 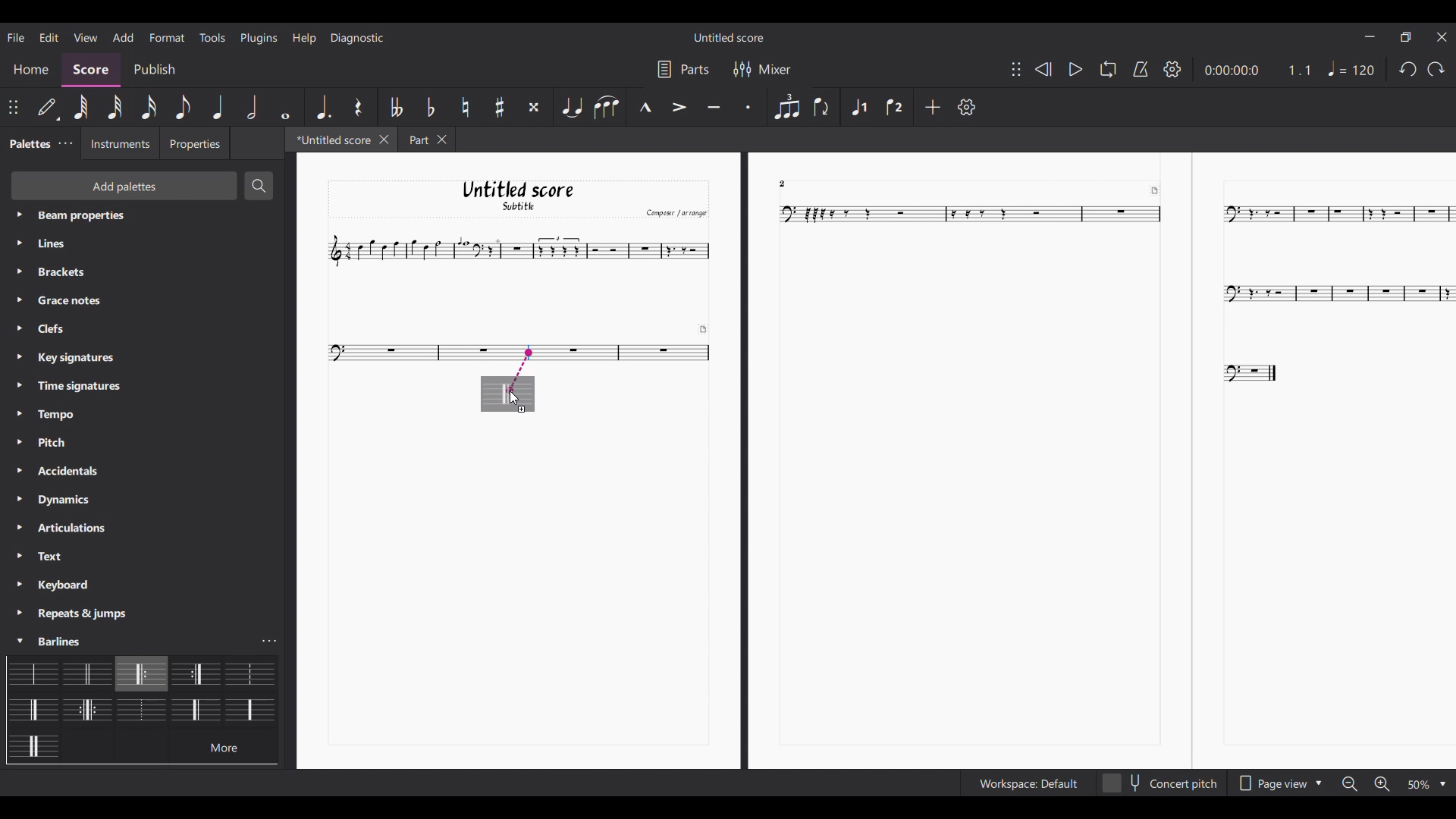 What do you see at coordinates (1349, 784) in the screenshot?
I see `Zoom out` at bounding box center [1349, 784].